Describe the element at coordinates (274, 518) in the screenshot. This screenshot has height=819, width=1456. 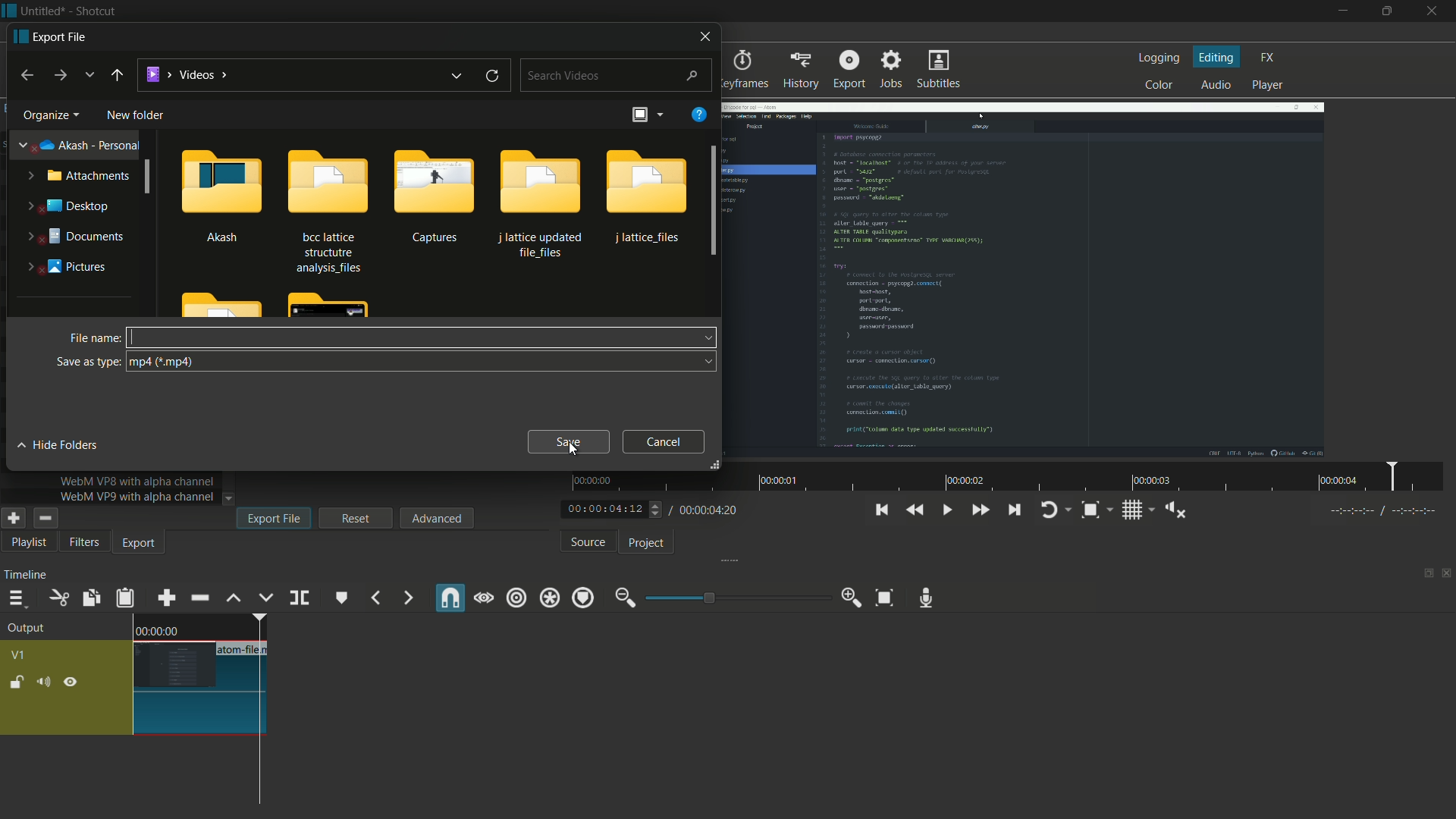
I see `export file` at that location.